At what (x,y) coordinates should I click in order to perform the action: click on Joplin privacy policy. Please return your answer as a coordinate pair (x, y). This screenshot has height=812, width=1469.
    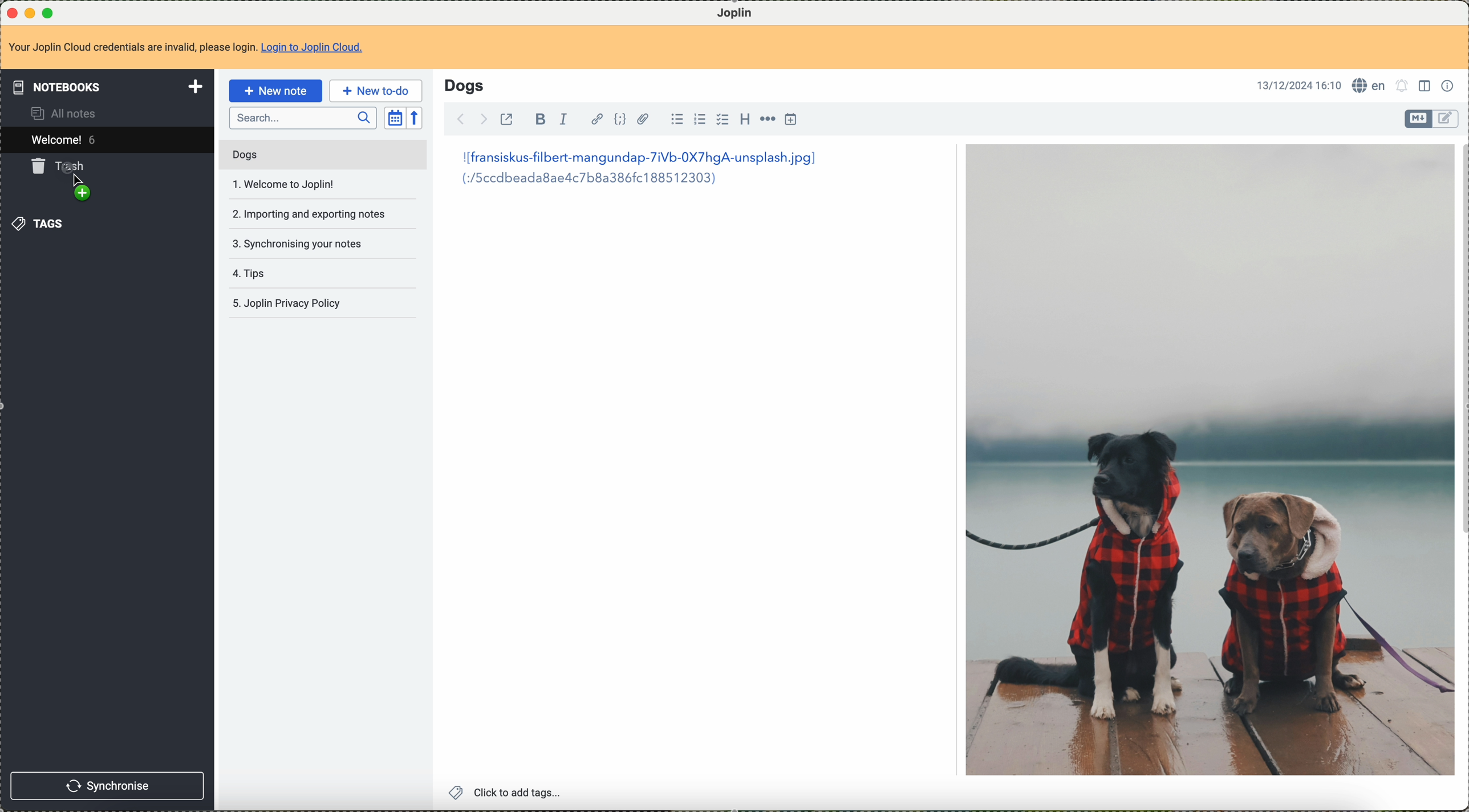
    Looking at the image, I should click on (289, 302).